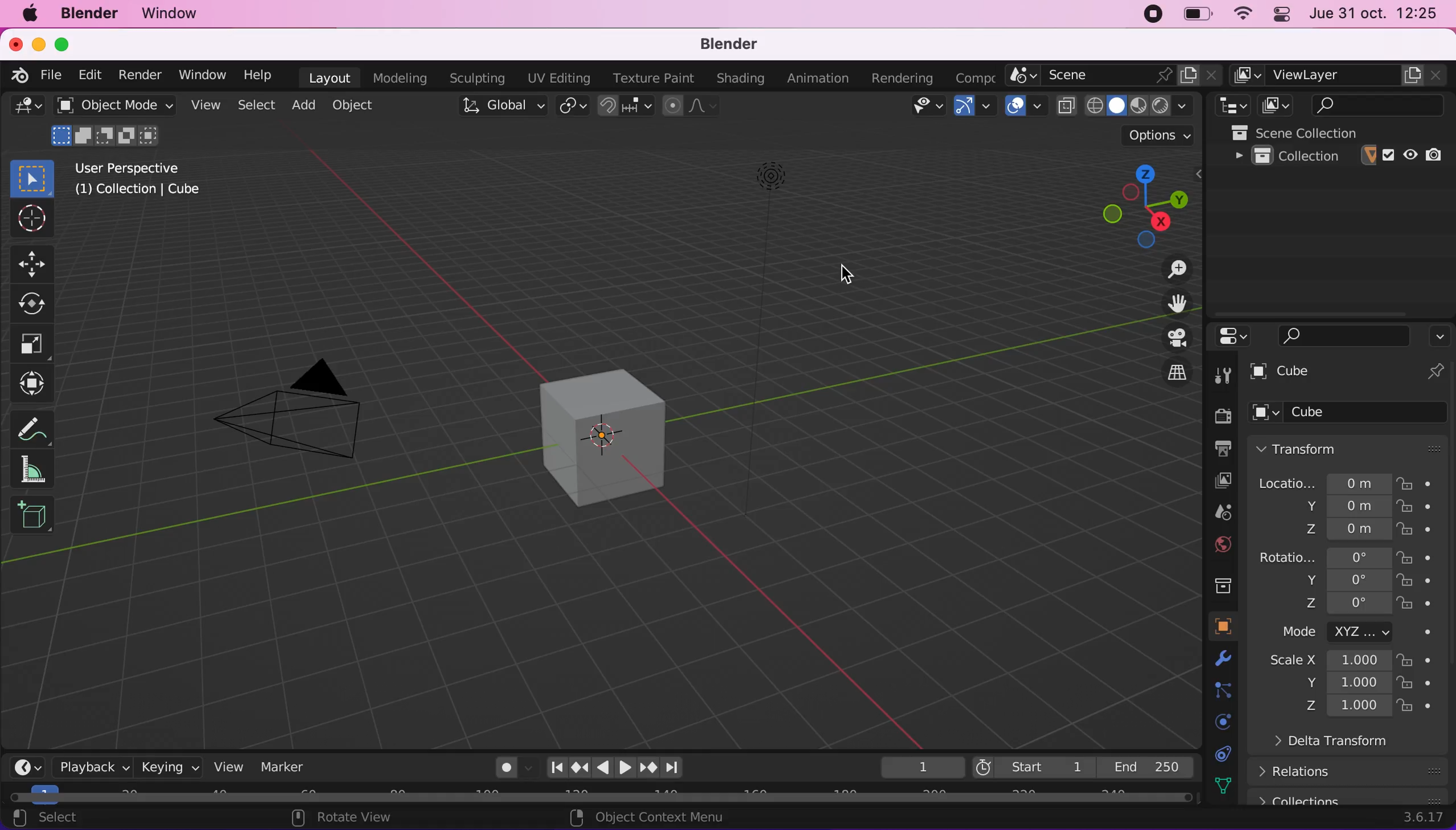 The width and height of the screenshot is (1456, 830). What do you see at coordinates (737, 44) in the screenshot?
I see `blender` at bounding box center [737, 44].